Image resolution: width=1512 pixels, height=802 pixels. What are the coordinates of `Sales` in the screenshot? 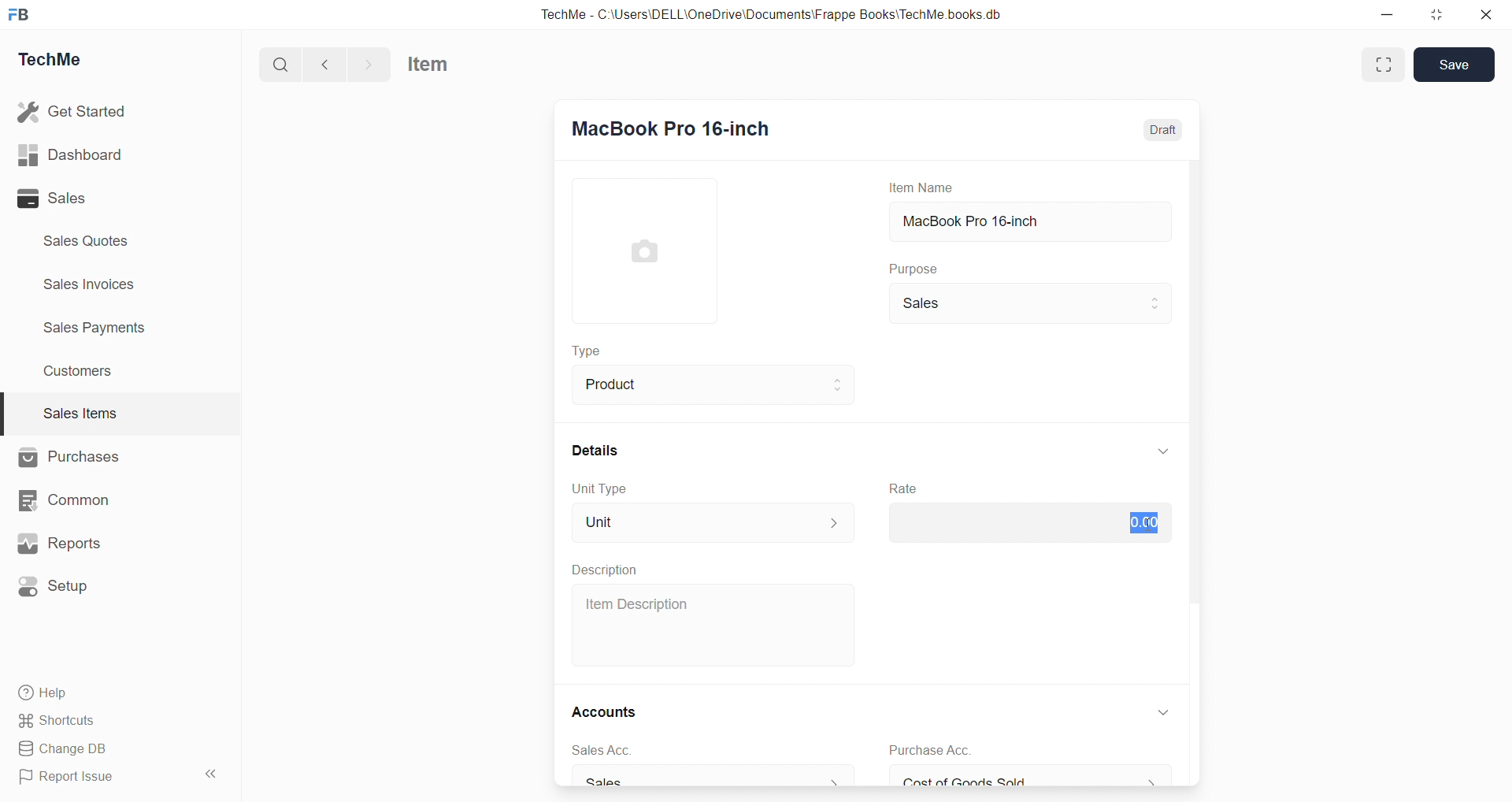 It's located at (1028, 304).